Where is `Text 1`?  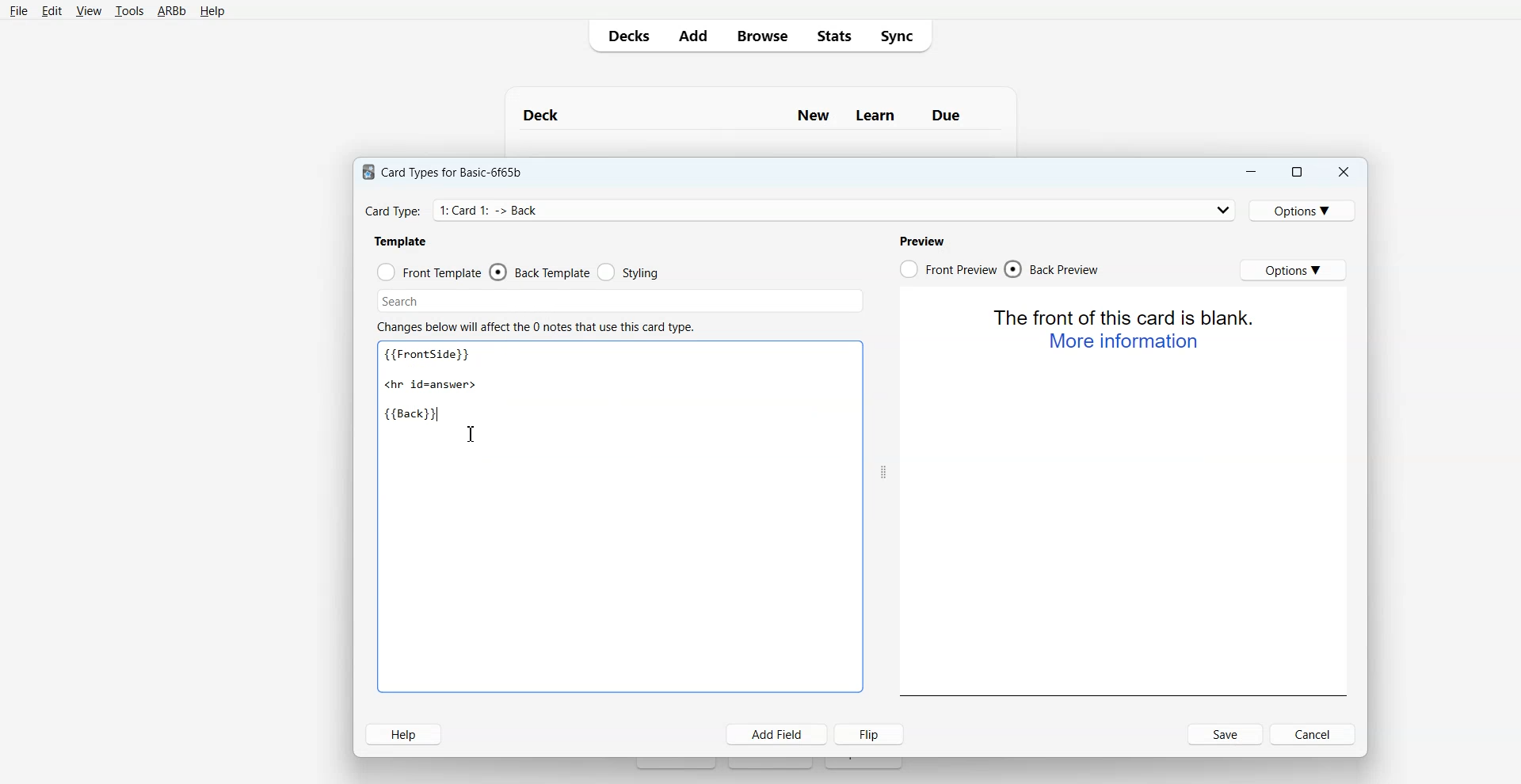 Text 1 is located at coordinates (448, 169).